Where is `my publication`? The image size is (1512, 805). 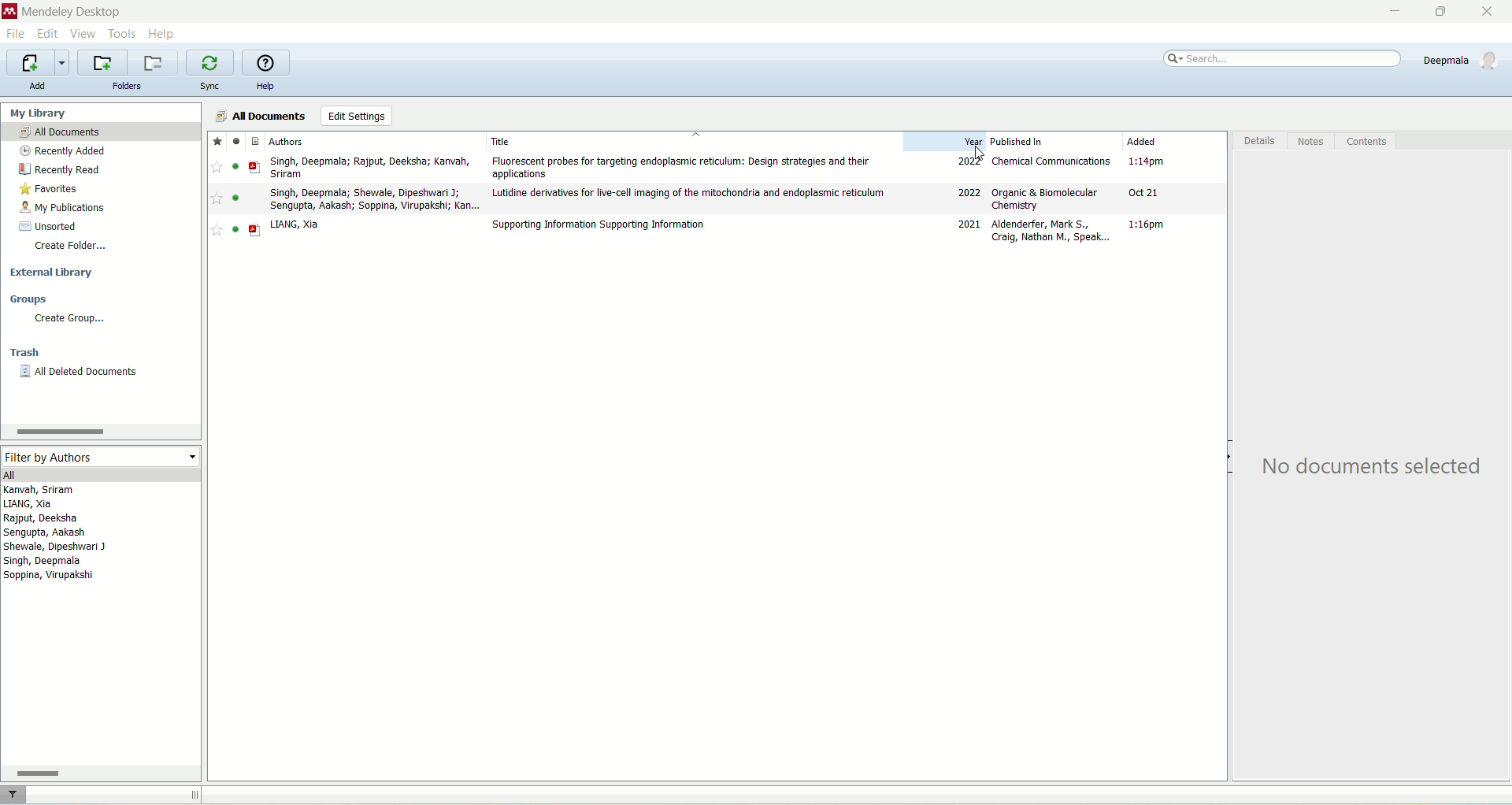
my publication is located at coordinates (63, 209).